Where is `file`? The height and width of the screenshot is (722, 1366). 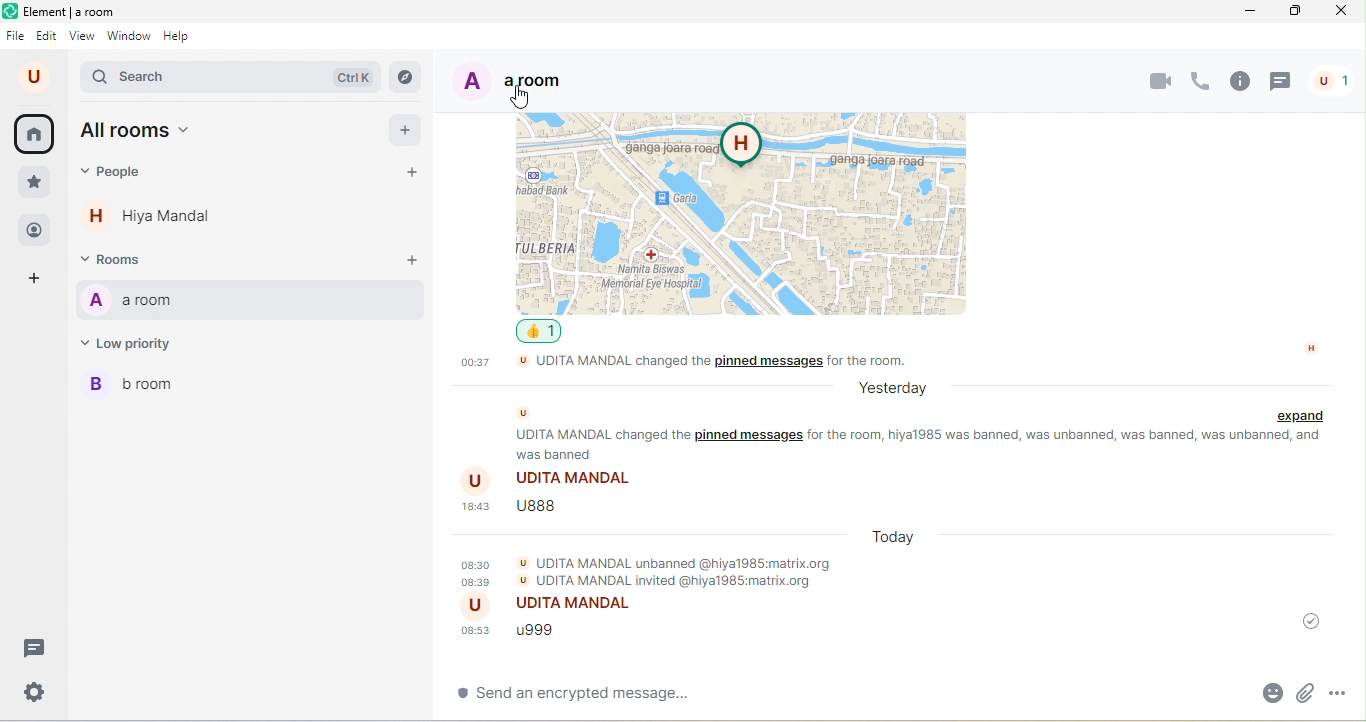 file is located at coordinates (17, 36).